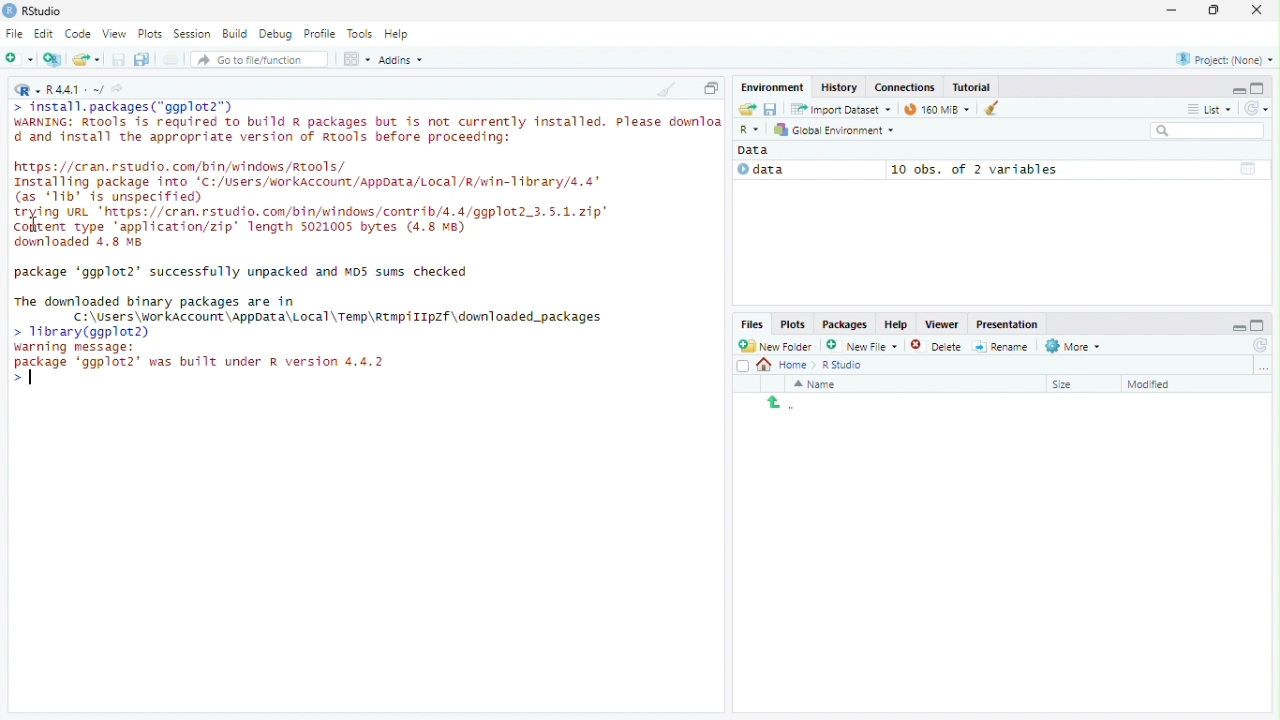  What do you see at coordinates (75, 88) in the screenshot?
I see `R language version - R 4.4.1` at bounding box center [75, 88].